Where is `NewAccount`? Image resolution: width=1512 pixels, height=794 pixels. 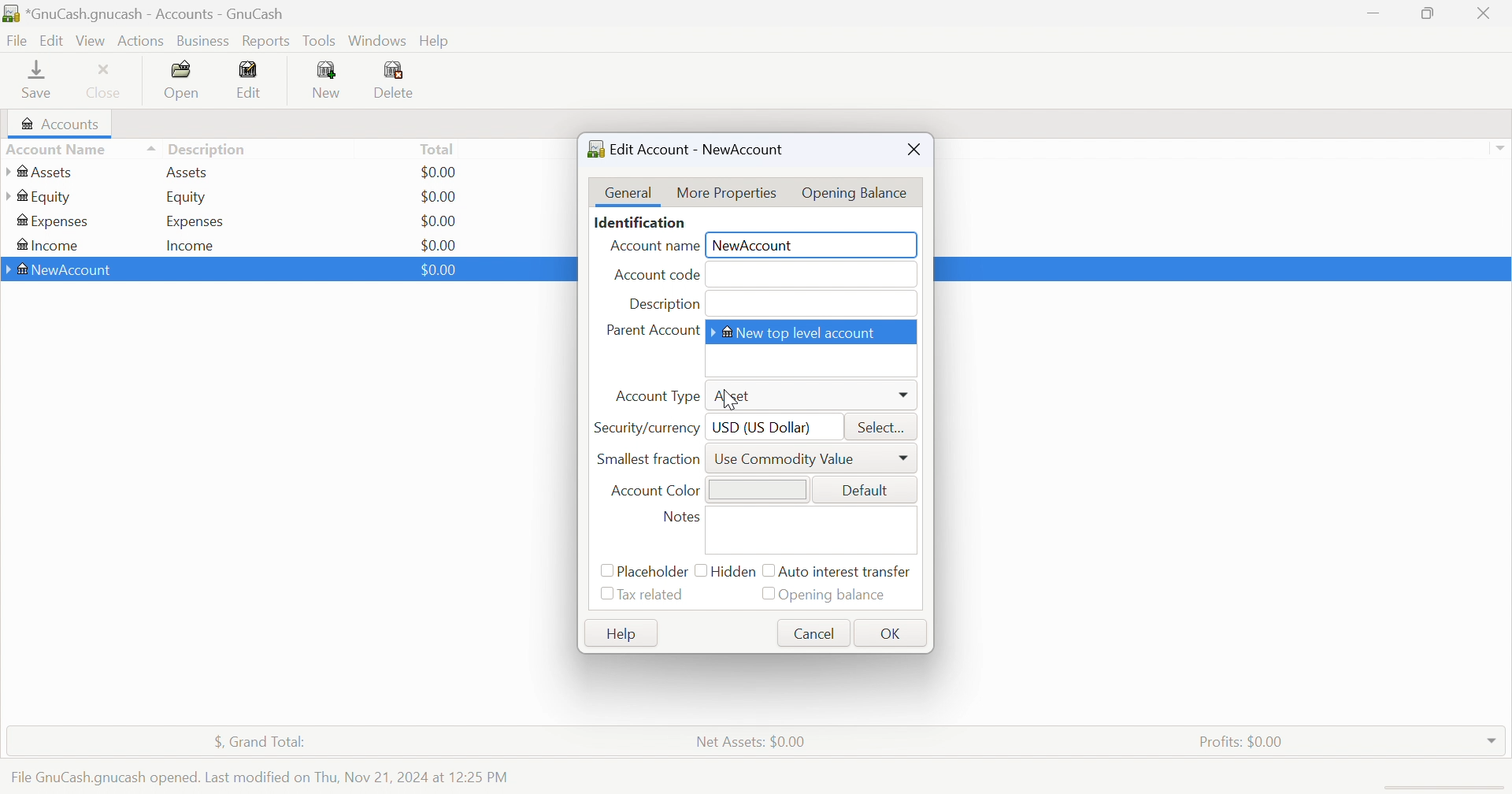
NewAccount is located at coordinates (760, 244).